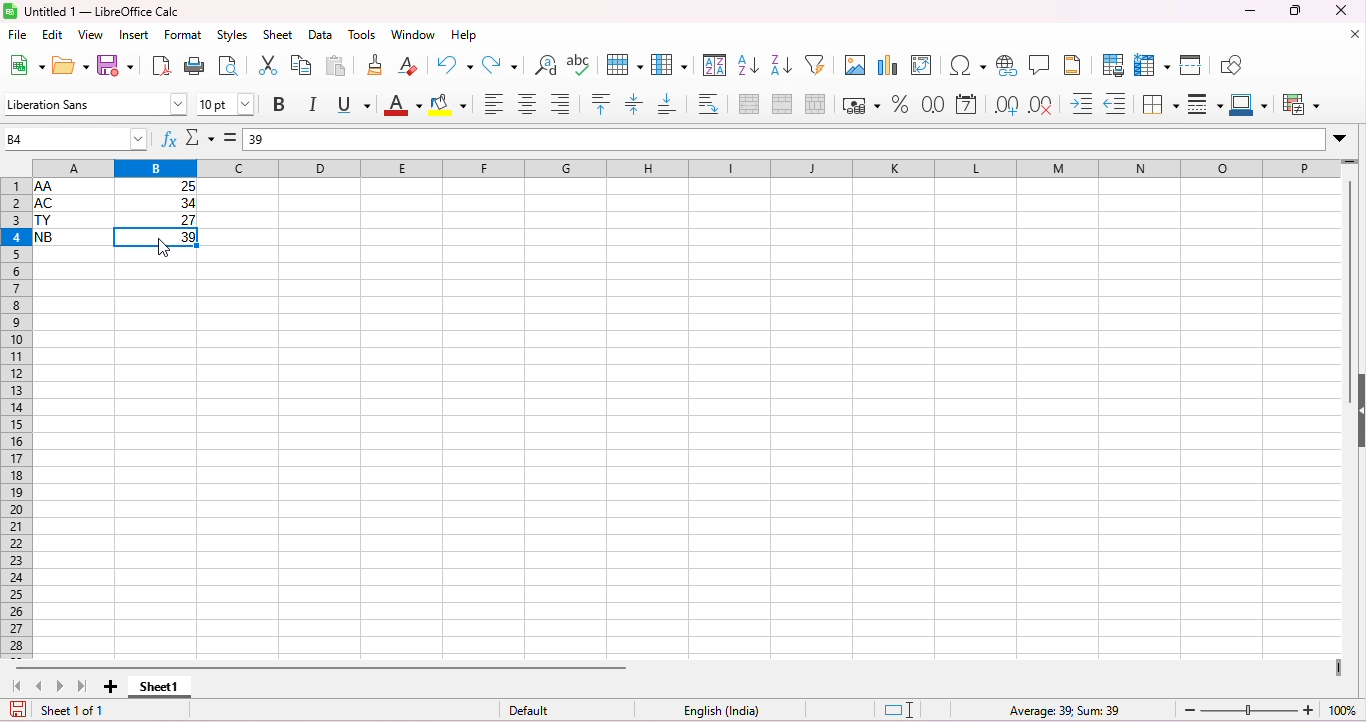 The image size is (1366, 722). What do you see at coordinates (74, 711) in the screenshot?
I see `sheet 1 of 1` at bounding box center [74, 711].